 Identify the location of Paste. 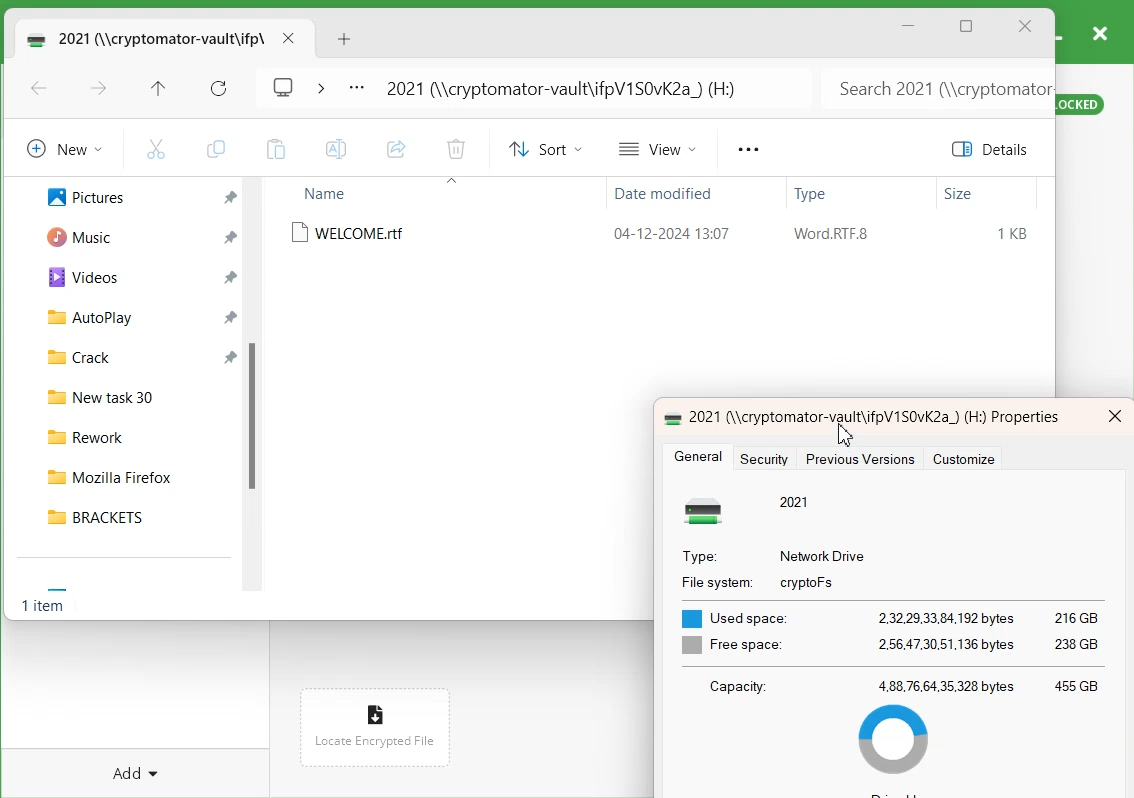
(275, 149).